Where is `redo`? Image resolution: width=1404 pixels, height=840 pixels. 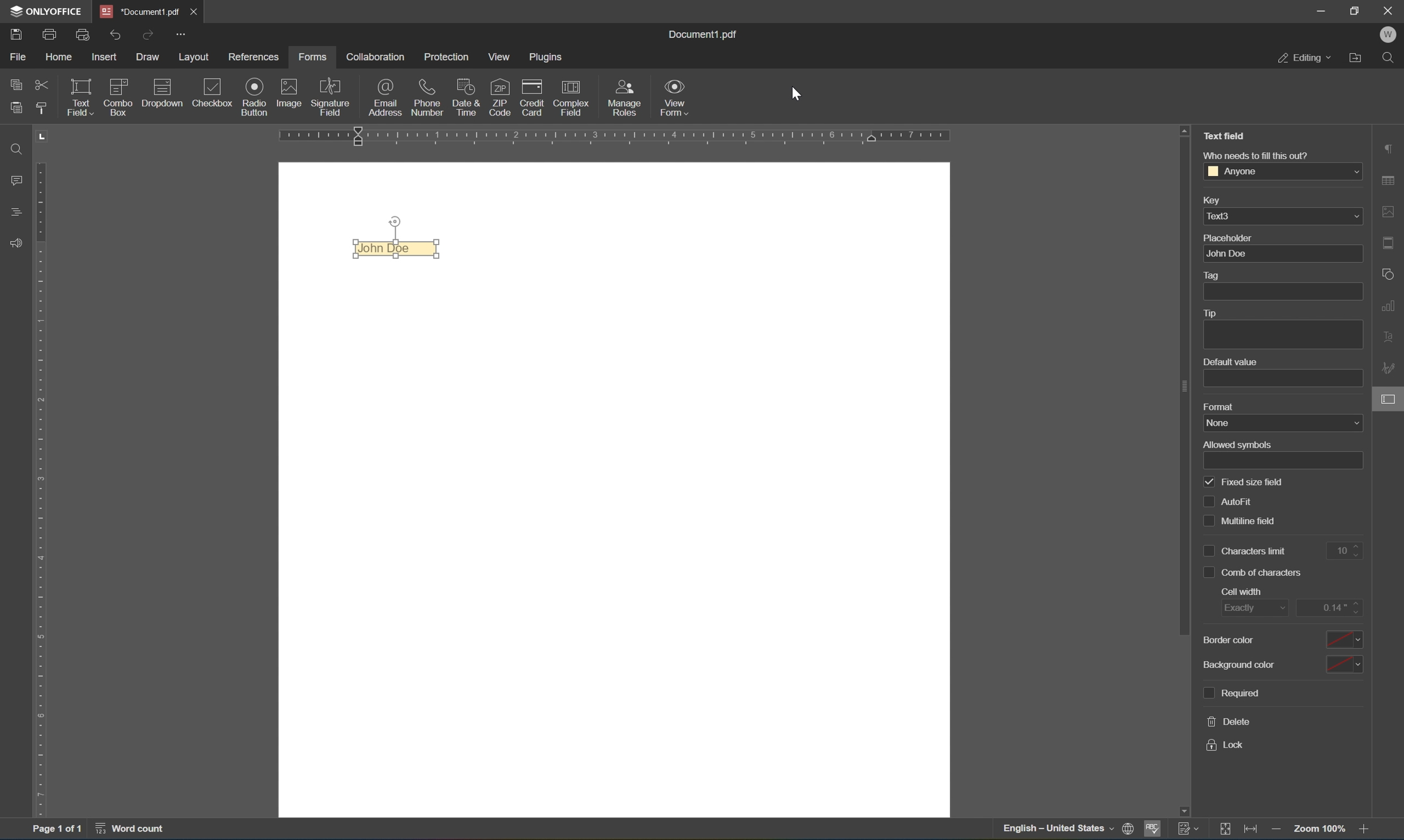 redo is located at coordinates (148, 33).